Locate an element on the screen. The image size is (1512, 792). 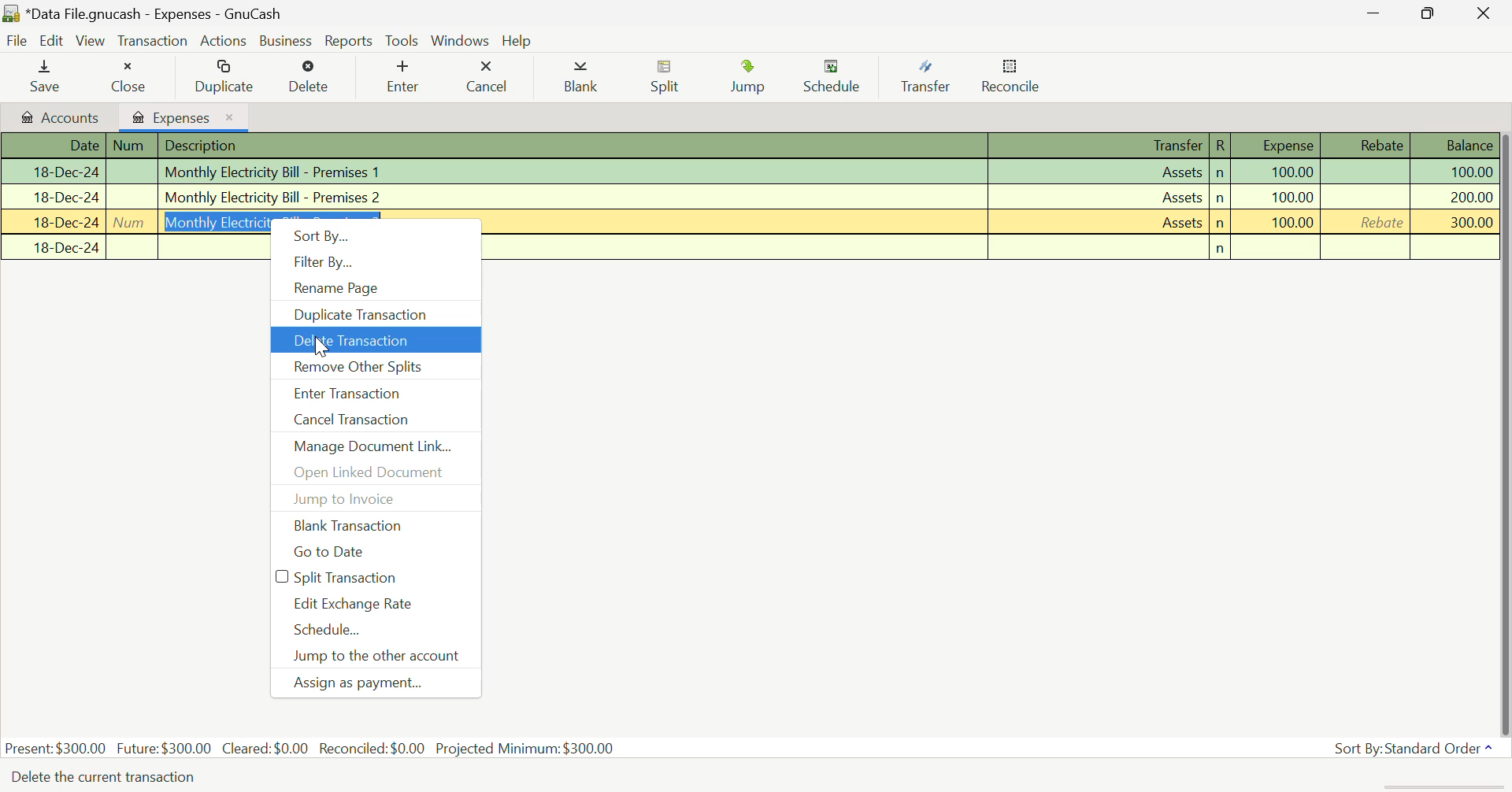
Schedule is located at coordinates (376, 630).